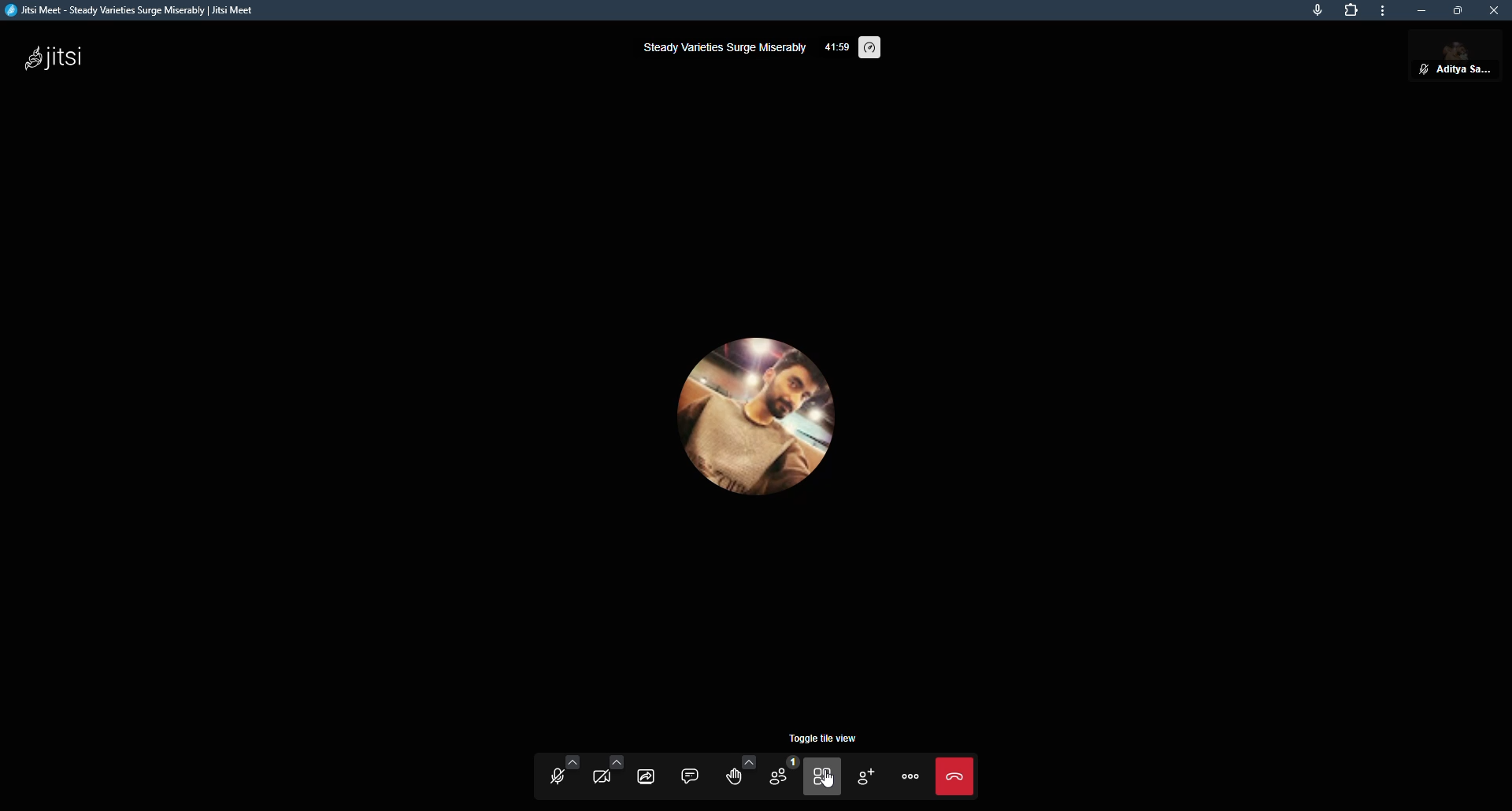  Describe the element at coordinates (1422, 70) in the screenshot. I see `mute` at that location.